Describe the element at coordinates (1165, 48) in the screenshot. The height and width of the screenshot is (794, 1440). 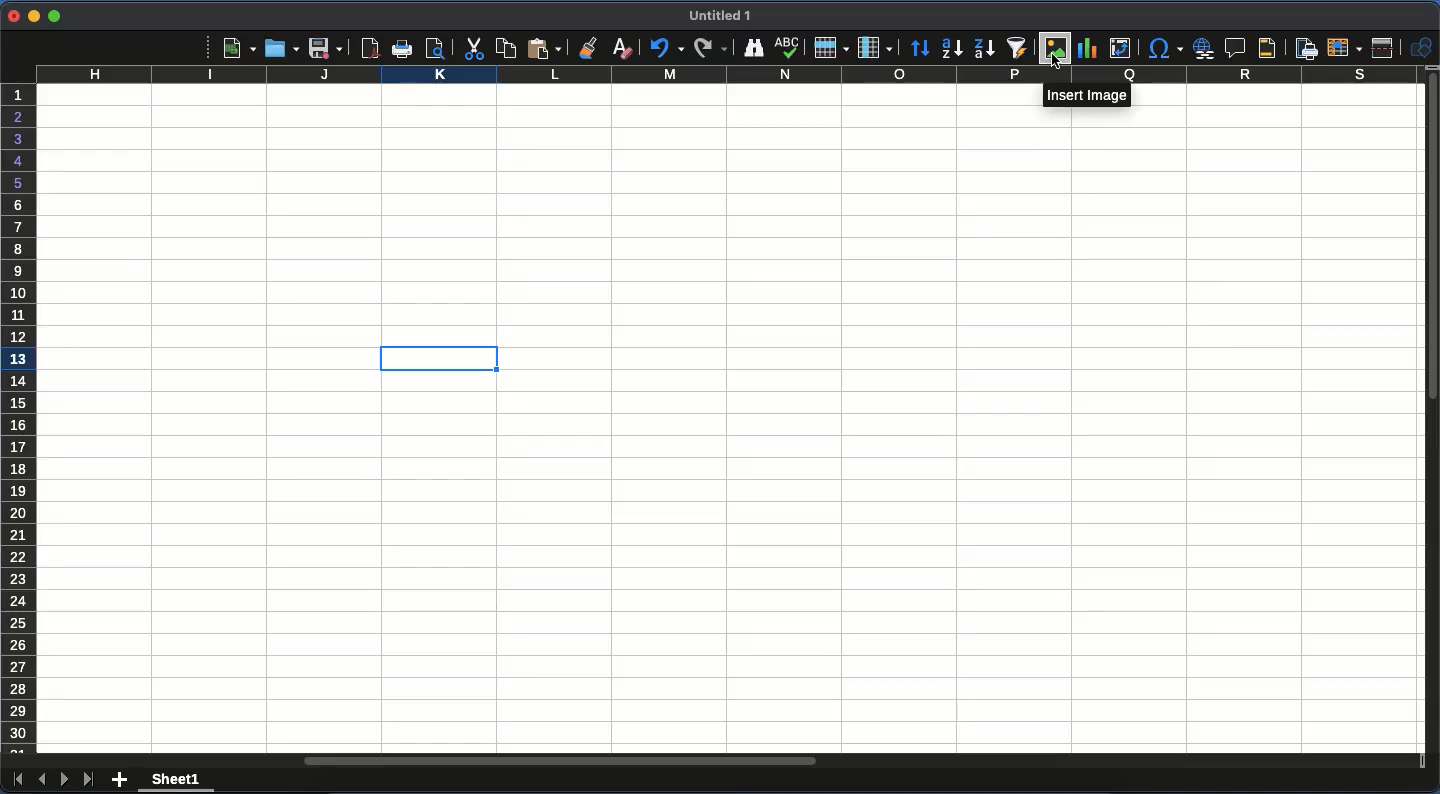
I see `special character` at that location.